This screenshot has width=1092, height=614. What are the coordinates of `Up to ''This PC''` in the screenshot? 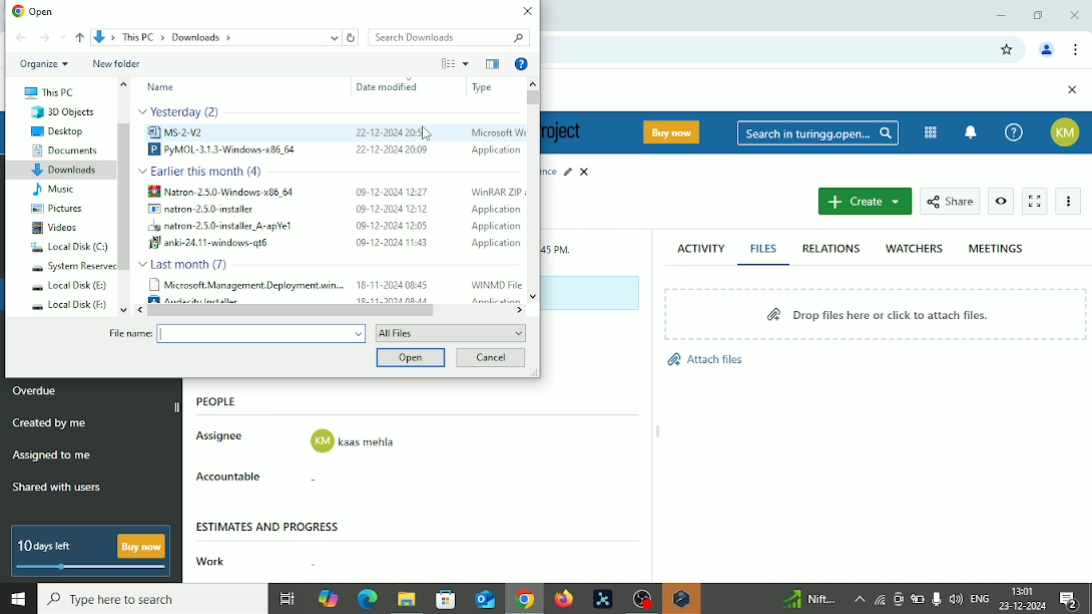 It's located at (80, 37).